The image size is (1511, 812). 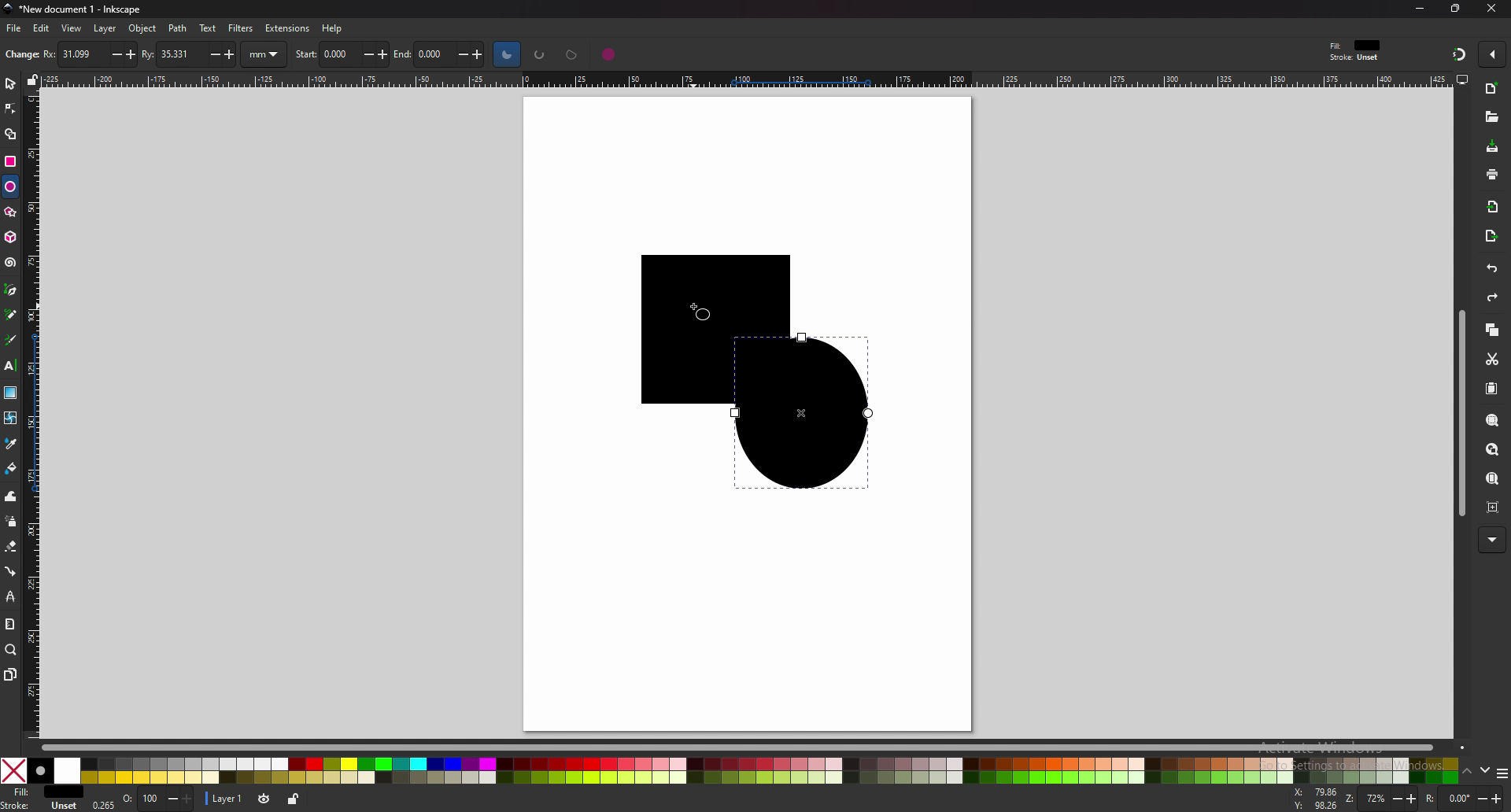 I want to click on stroke, so click(x=42, y=806).